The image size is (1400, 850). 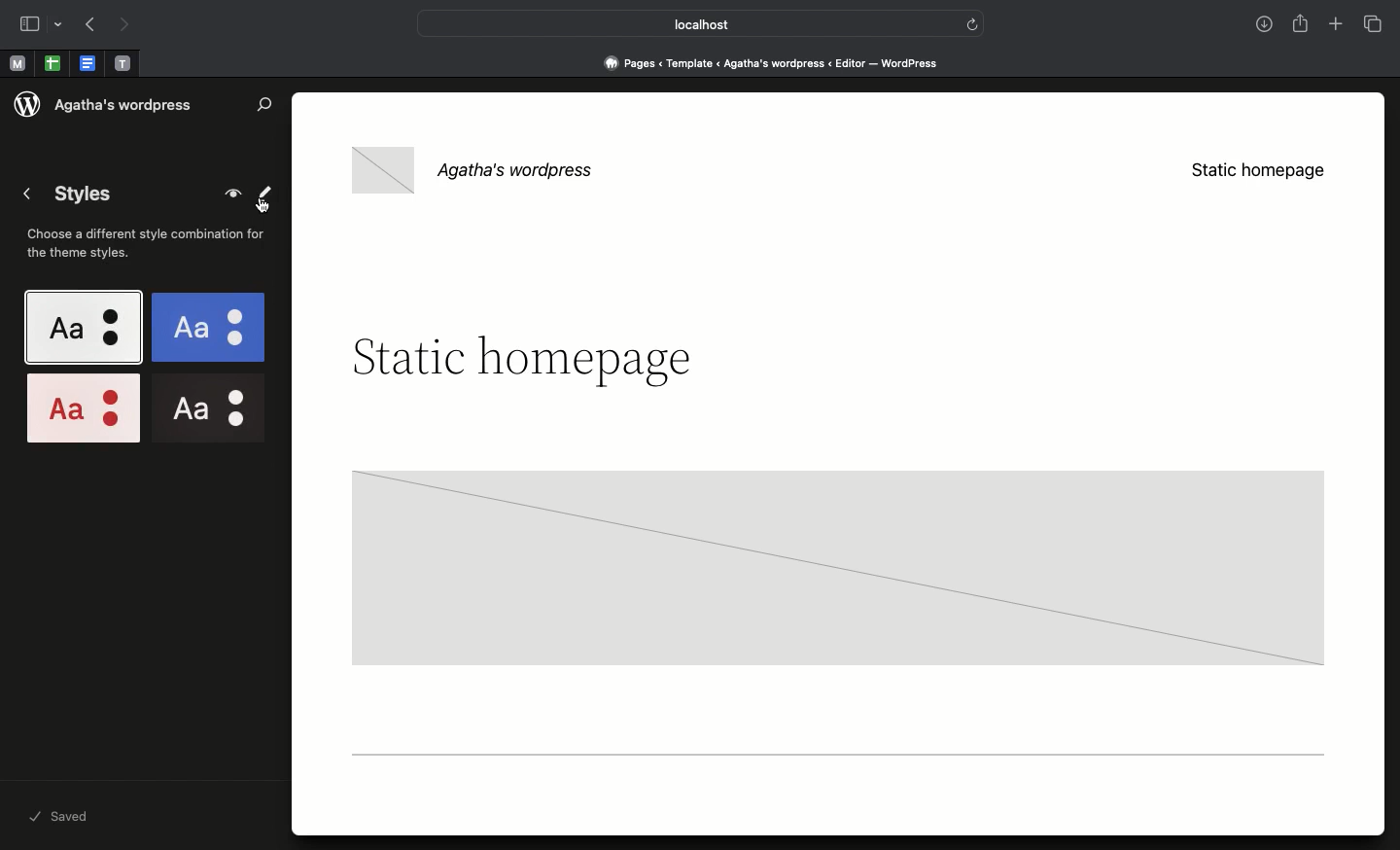 What do you see at coordinates (127, 105) in the screenshot?
I see `Wordpress name` at bounding box center [127, 105].